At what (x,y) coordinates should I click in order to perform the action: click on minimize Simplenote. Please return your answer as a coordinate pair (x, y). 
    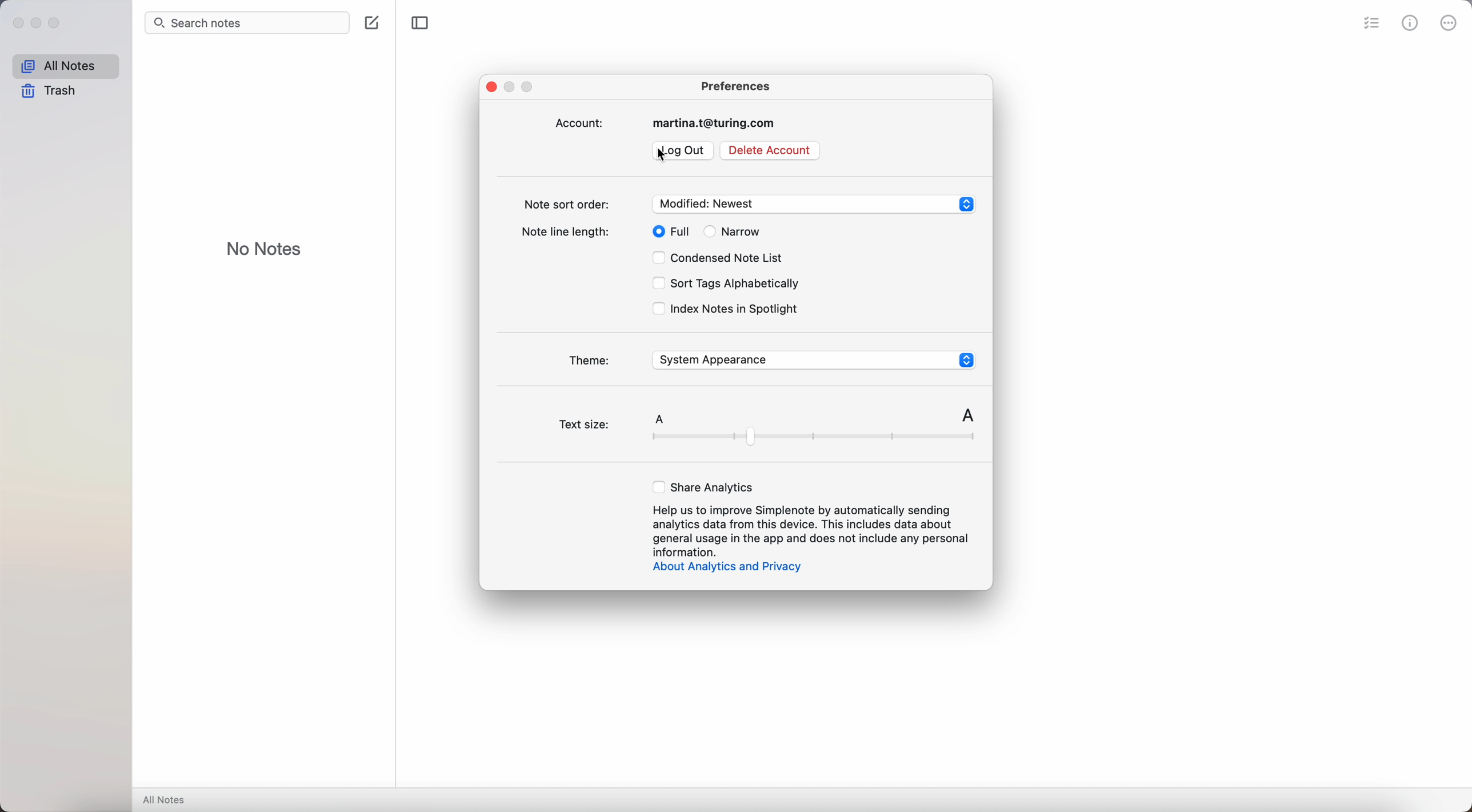
    Looking at the image, I should click on (38, 23).